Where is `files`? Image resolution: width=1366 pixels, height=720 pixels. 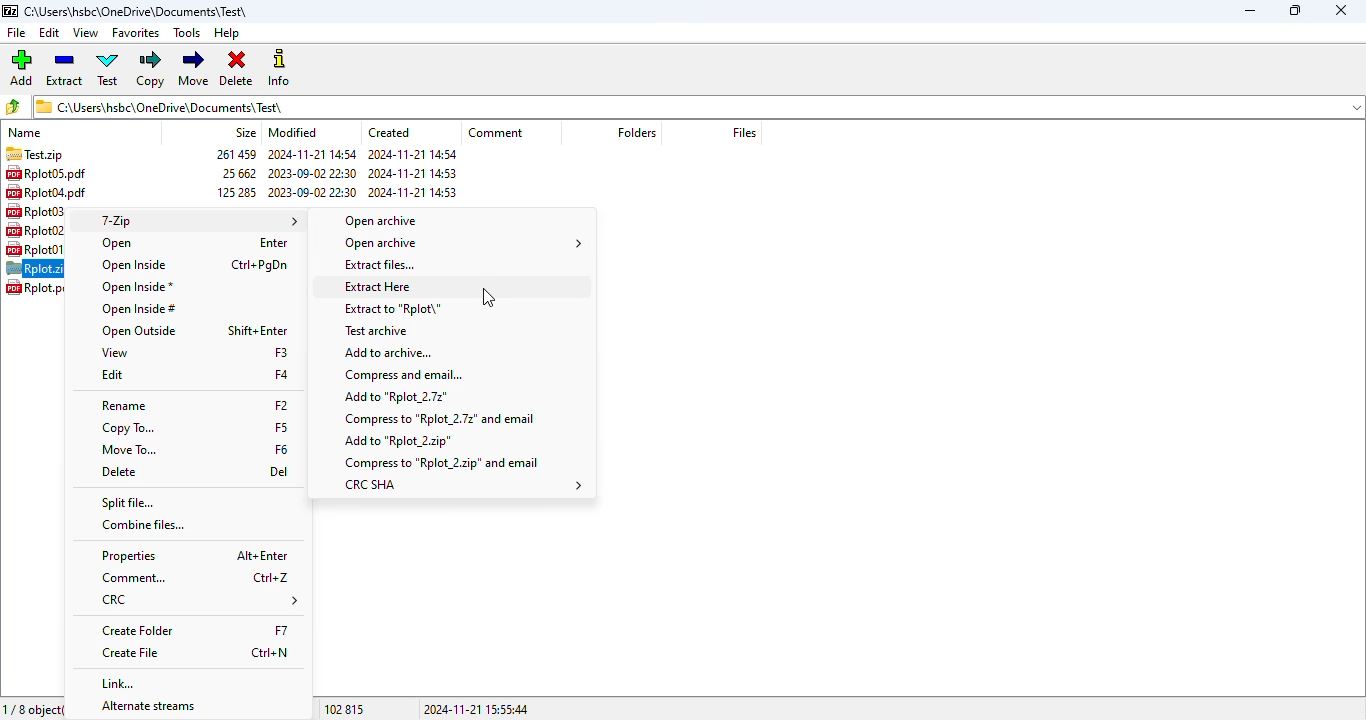 files is located at coordinates (745, 132).